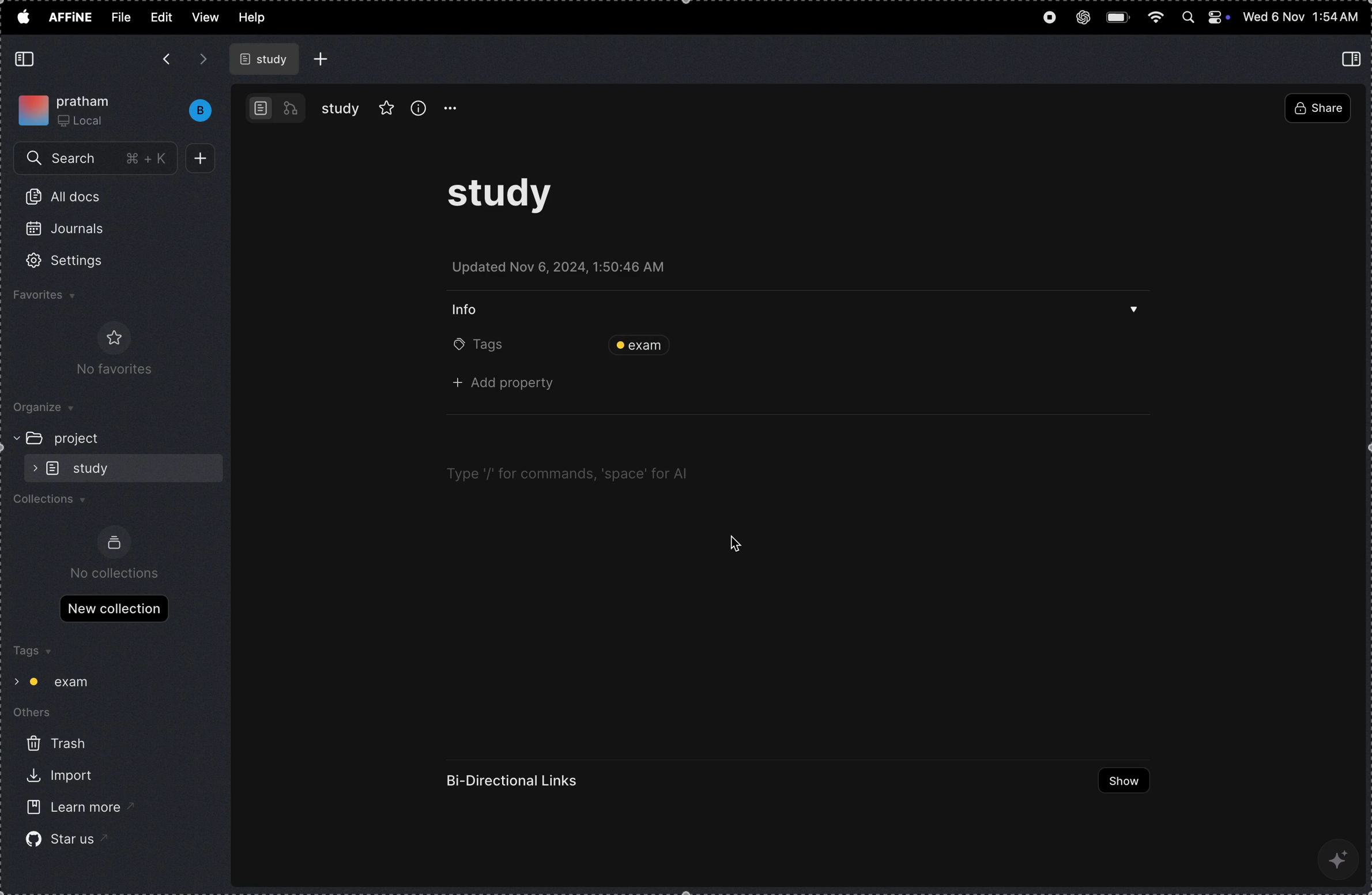 The height and width of the screenshot is (895, 1372). Describe the element at coordinates (471, 308) in the screenshot. I see `info` at that location.